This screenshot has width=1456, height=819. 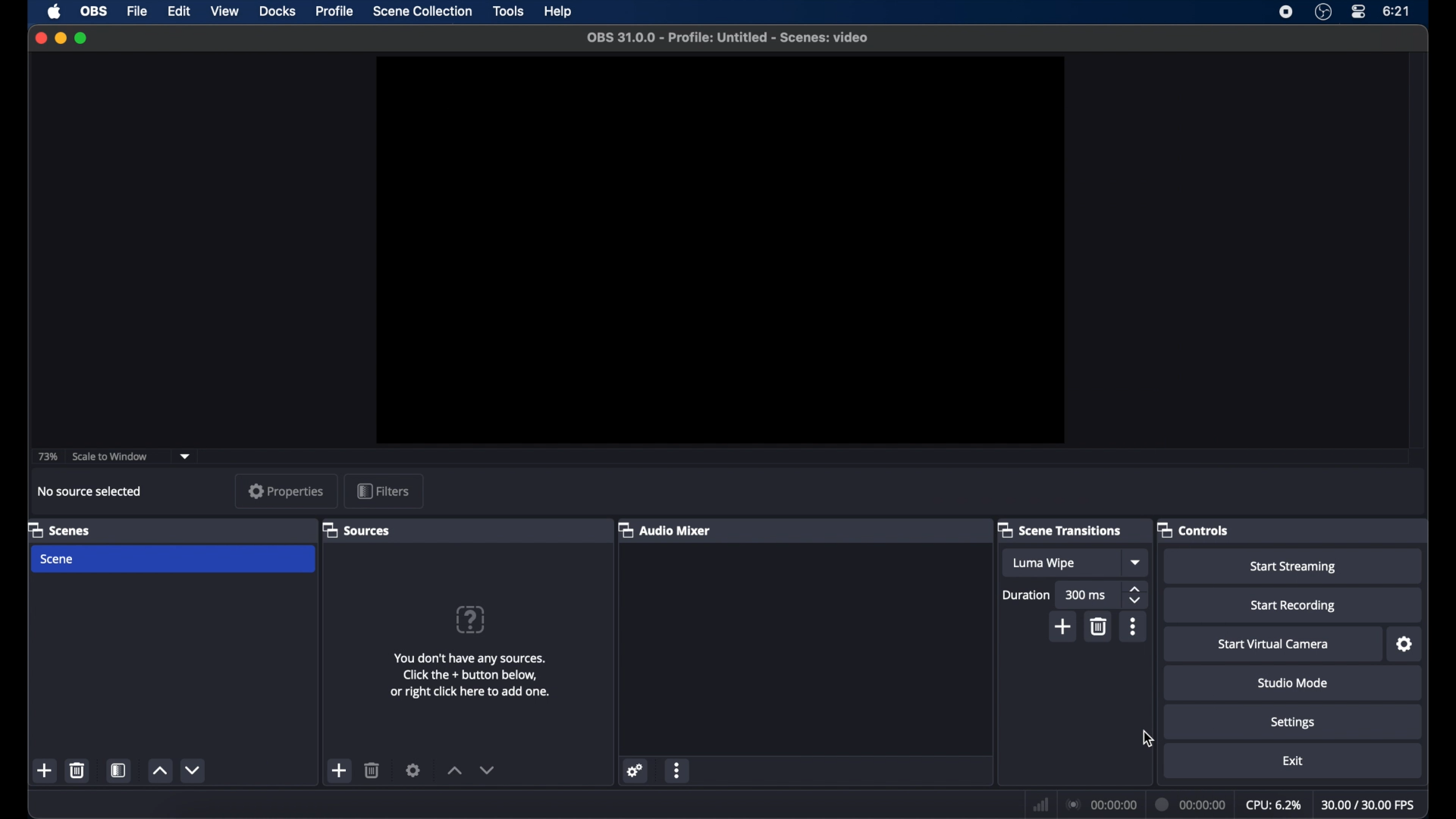 I want to click on delete, so click(x=77, y=770).